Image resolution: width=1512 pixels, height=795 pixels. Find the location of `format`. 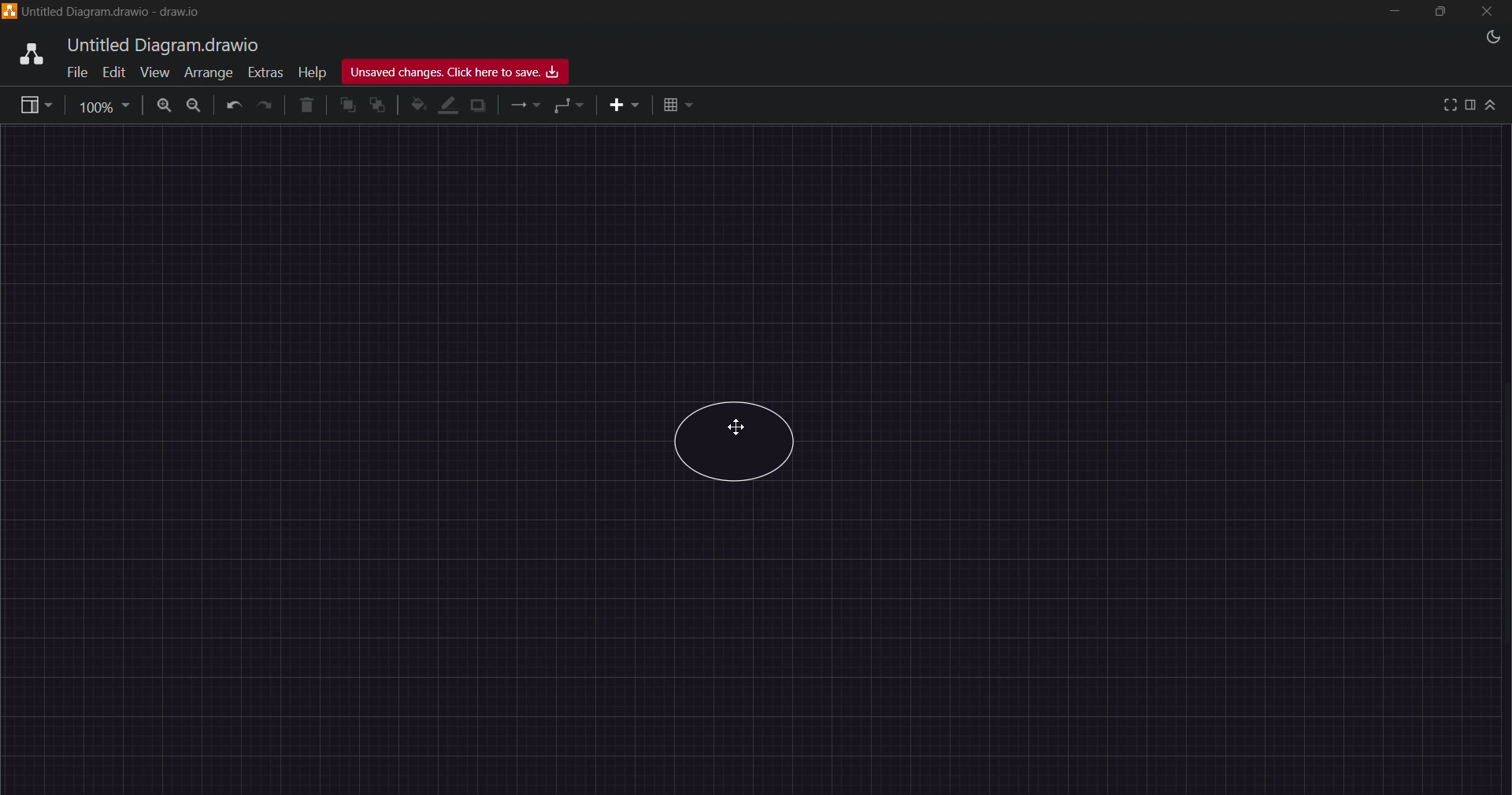

format is located at coordinates (1471, 104).